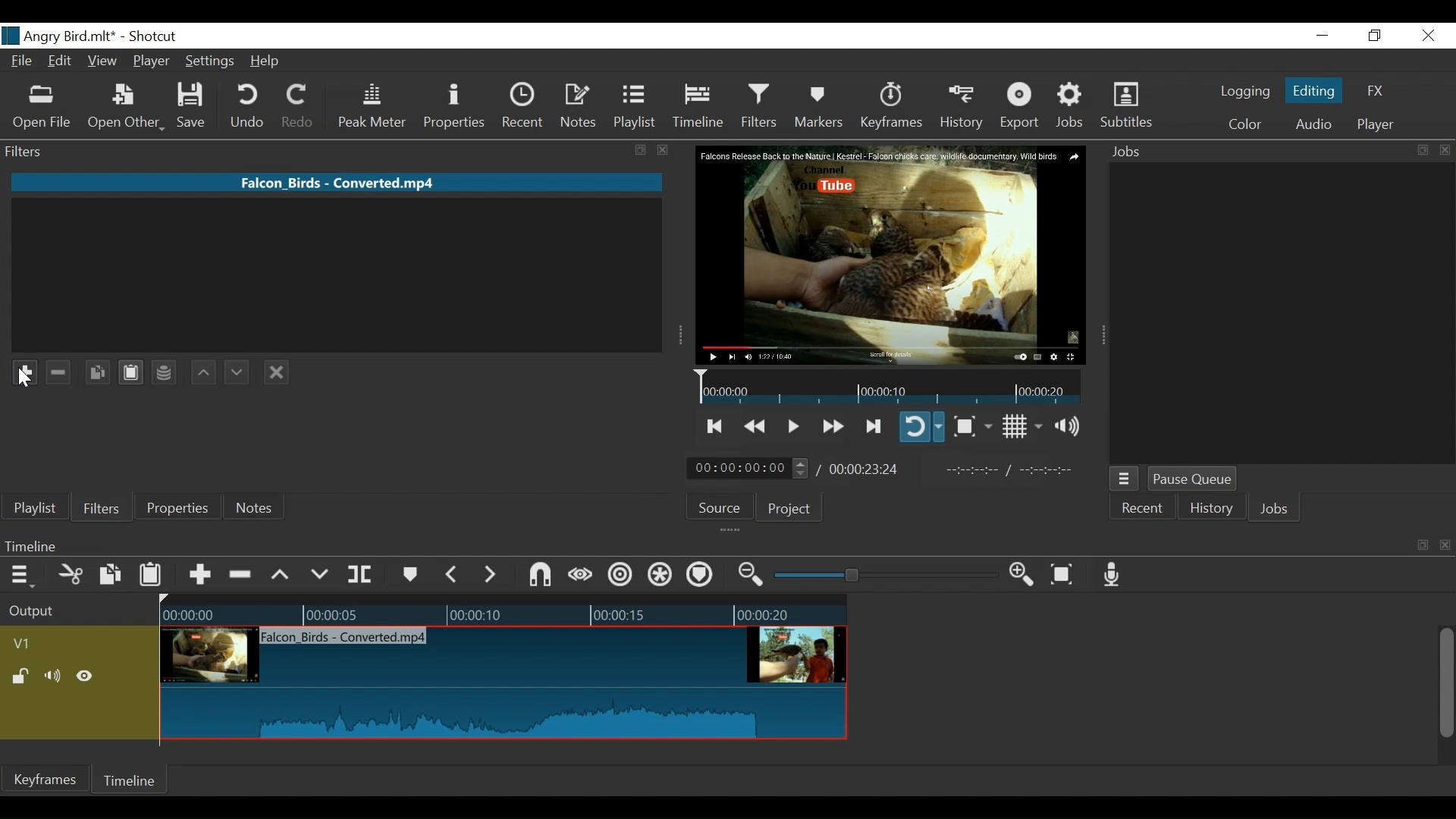  Describe the element at coordinates (1122, 480) in the screenshot. I see `Jobs Menu` at that location.